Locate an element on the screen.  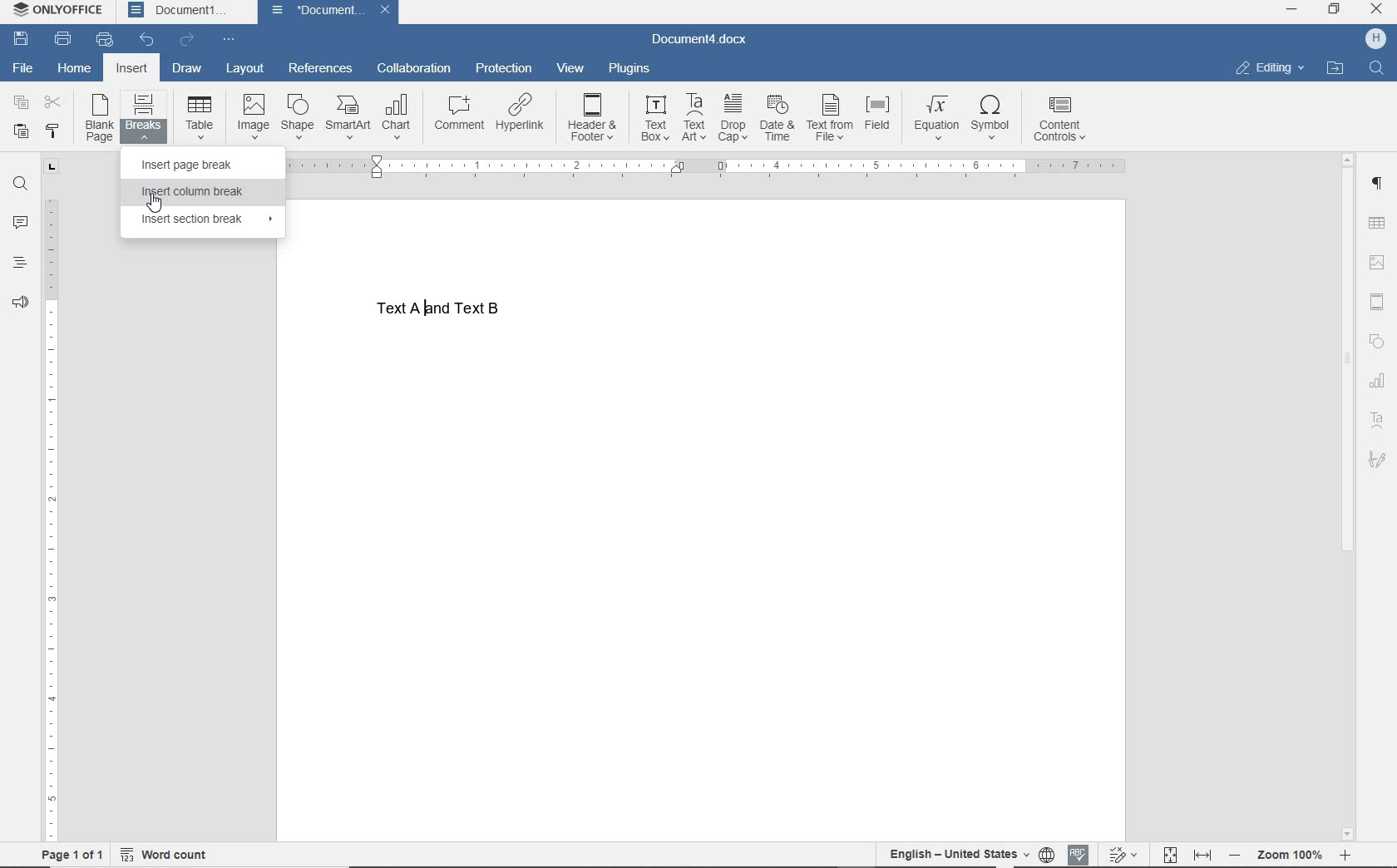
WORD COUNT is located at coordinates (173, 852).